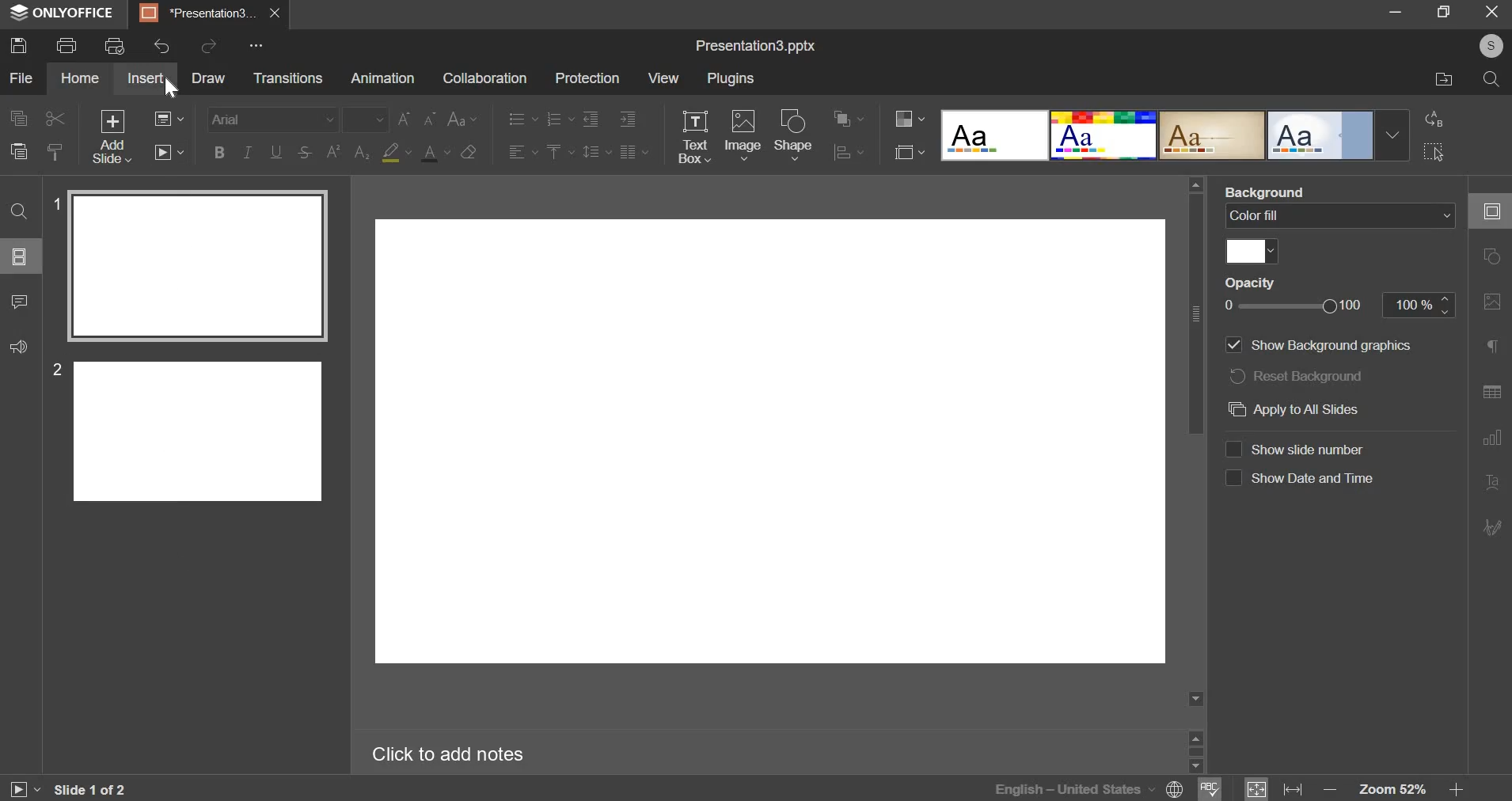 This screenshot has height=801, width=1512. Describe the element at coordinates (1392, 789) in the screenshot. I see `zoom 52%` at that location.